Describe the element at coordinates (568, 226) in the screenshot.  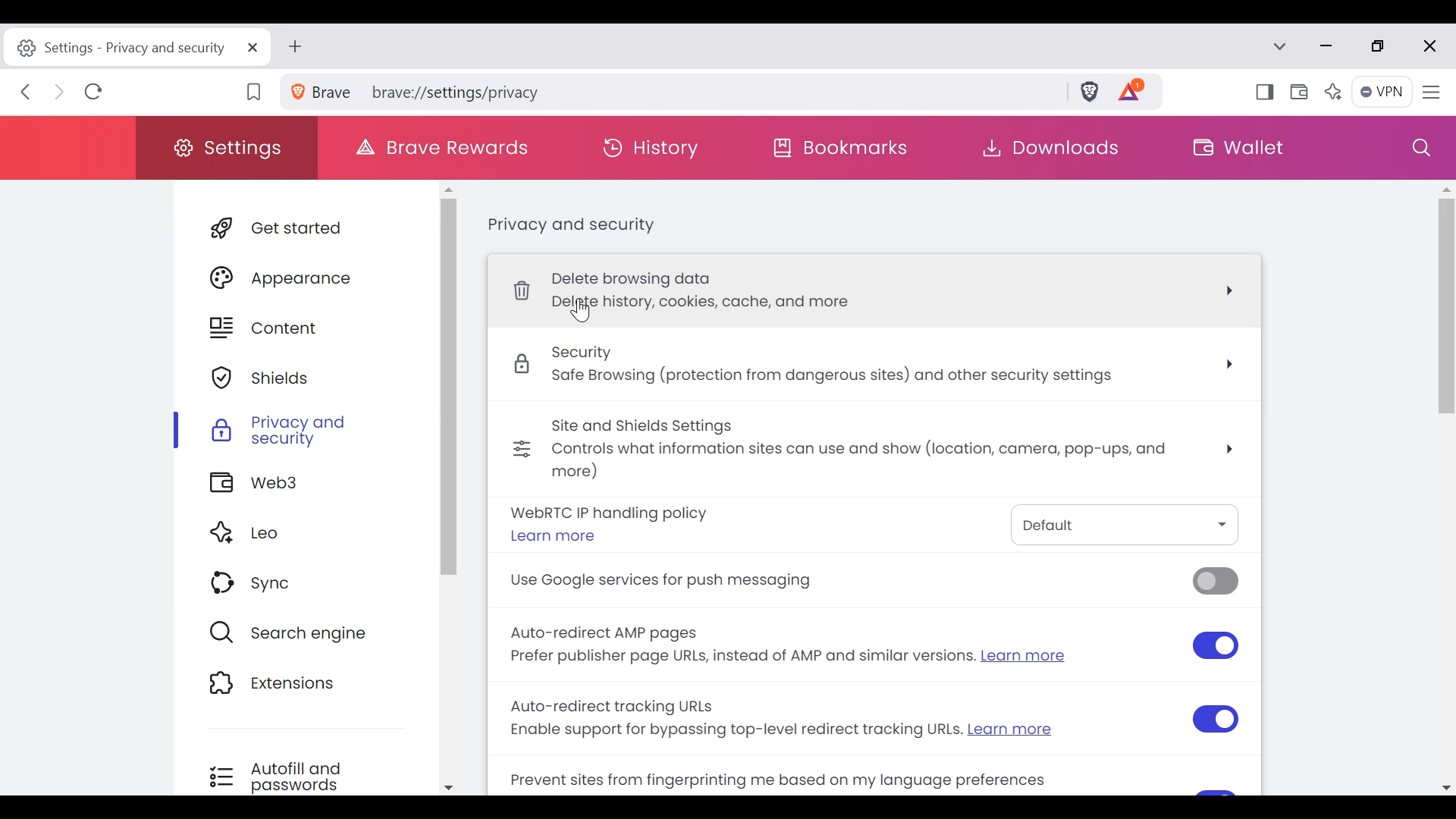
I see `privacy and security` at that location.